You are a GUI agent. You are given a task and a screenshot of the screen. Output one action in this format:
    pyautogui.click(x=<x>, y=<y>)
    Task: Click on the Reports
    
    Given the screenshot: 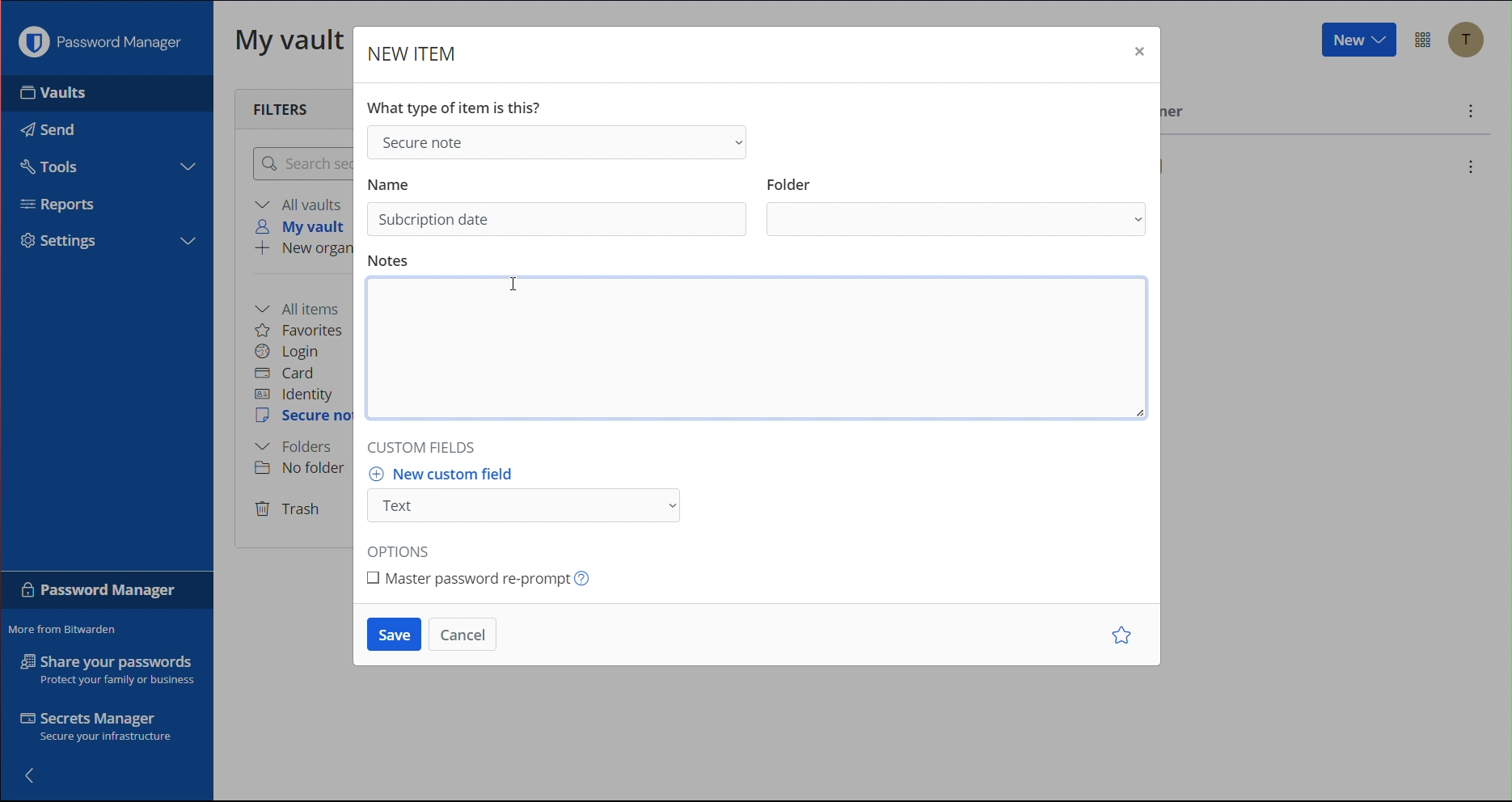 What is the action you would take?
    pyautogui.click(x=65, y=207)
    